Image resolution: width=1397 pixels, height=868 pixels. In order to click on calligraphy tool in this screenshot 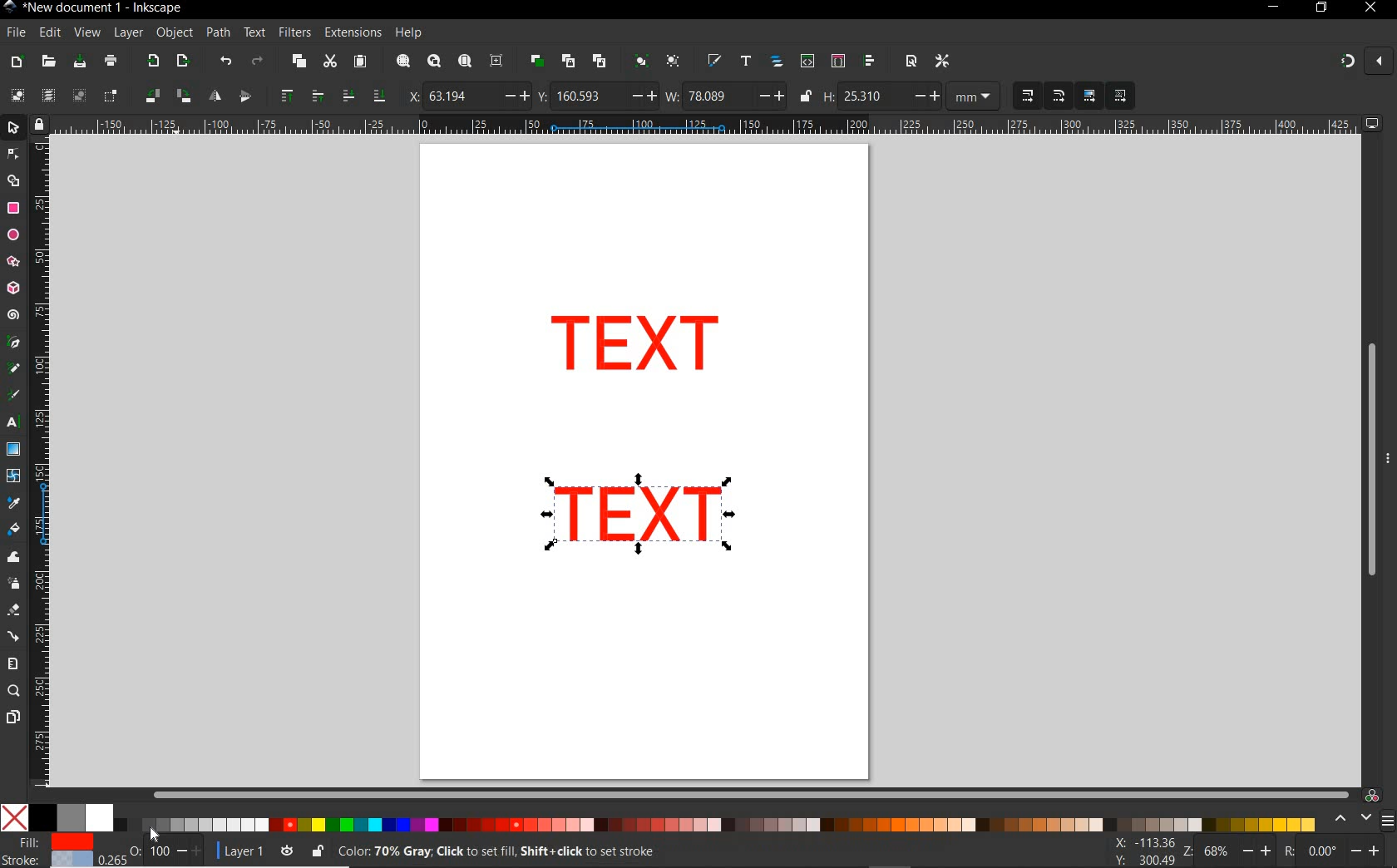, I will do `click(17, 396)`.